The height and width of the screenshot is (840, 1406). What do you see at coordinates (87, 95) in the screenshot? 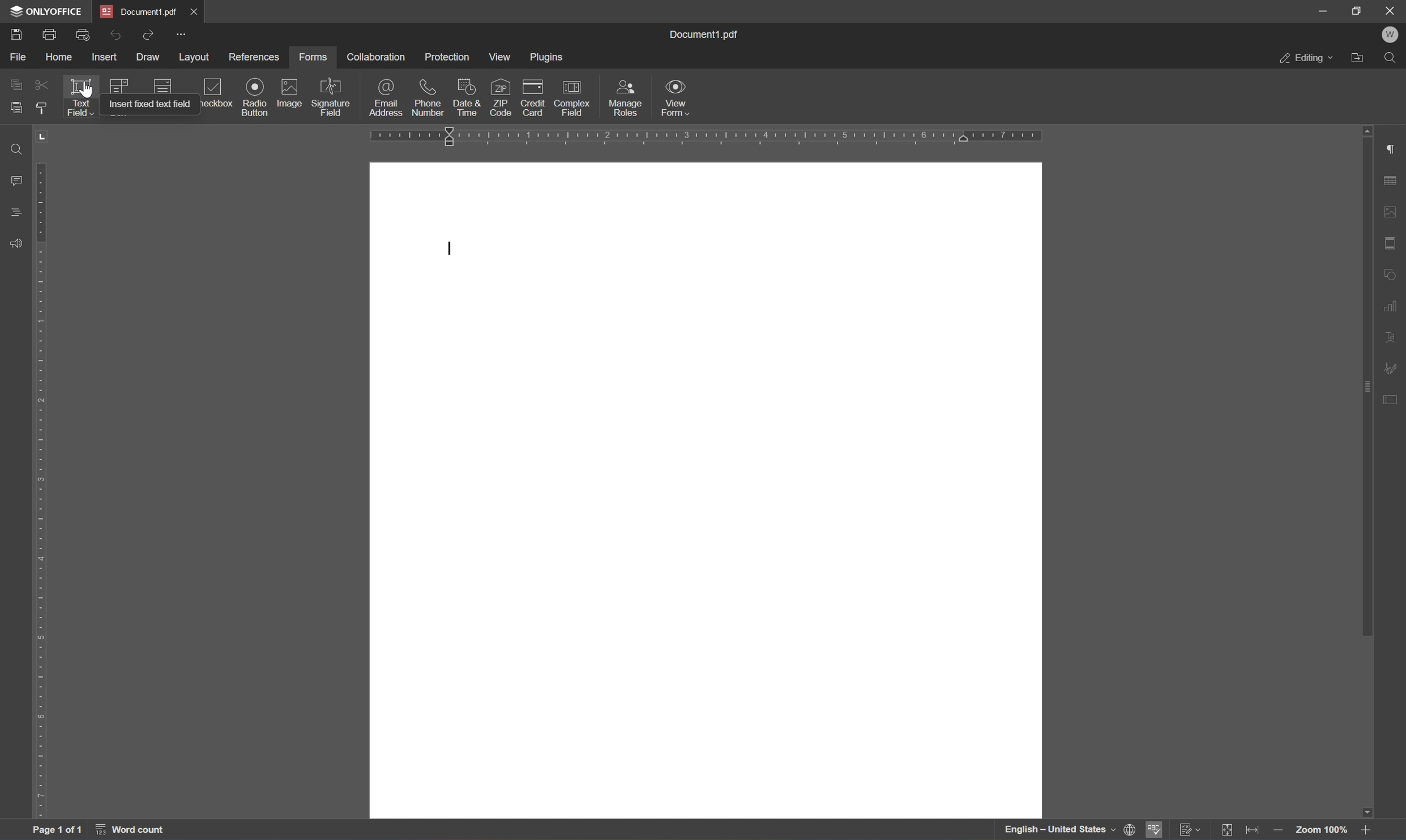
I see `cursor` at bounding box center [87, 95].